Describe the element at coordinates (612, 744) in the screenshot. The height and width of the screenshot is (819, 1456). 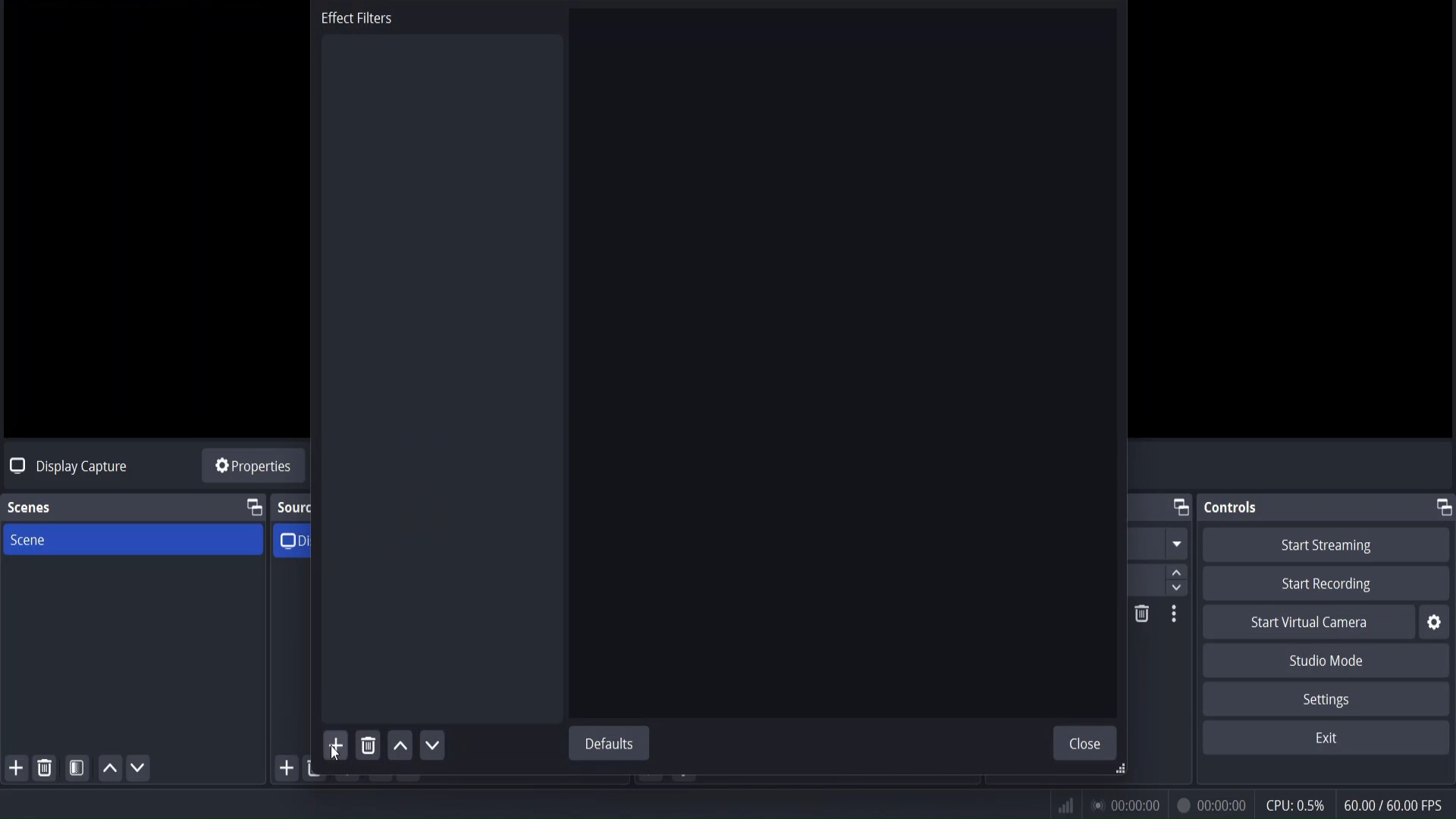
I see `defaults` at that location.